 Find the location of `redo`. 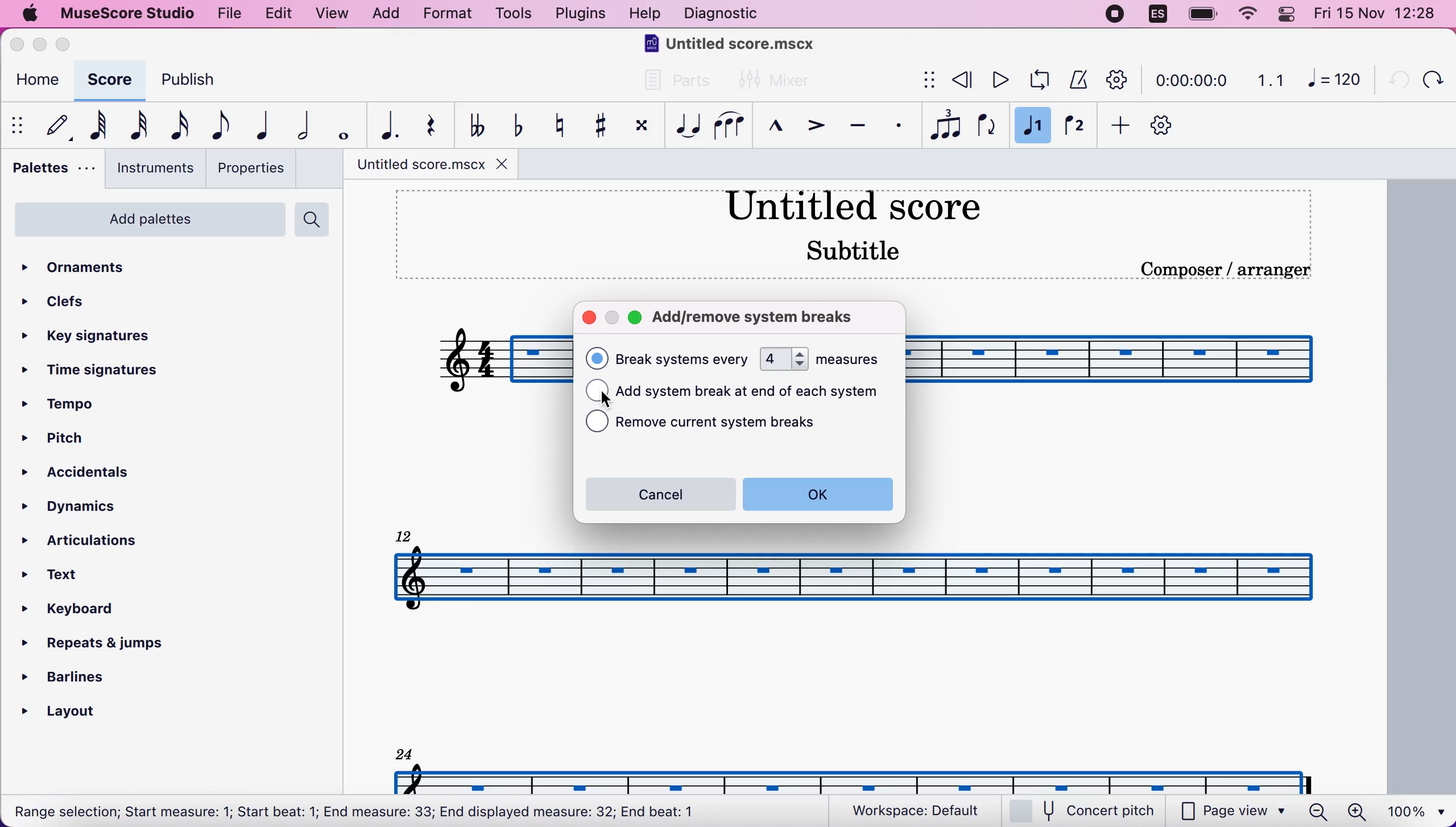

redo is located at coordinates (1432, 79).